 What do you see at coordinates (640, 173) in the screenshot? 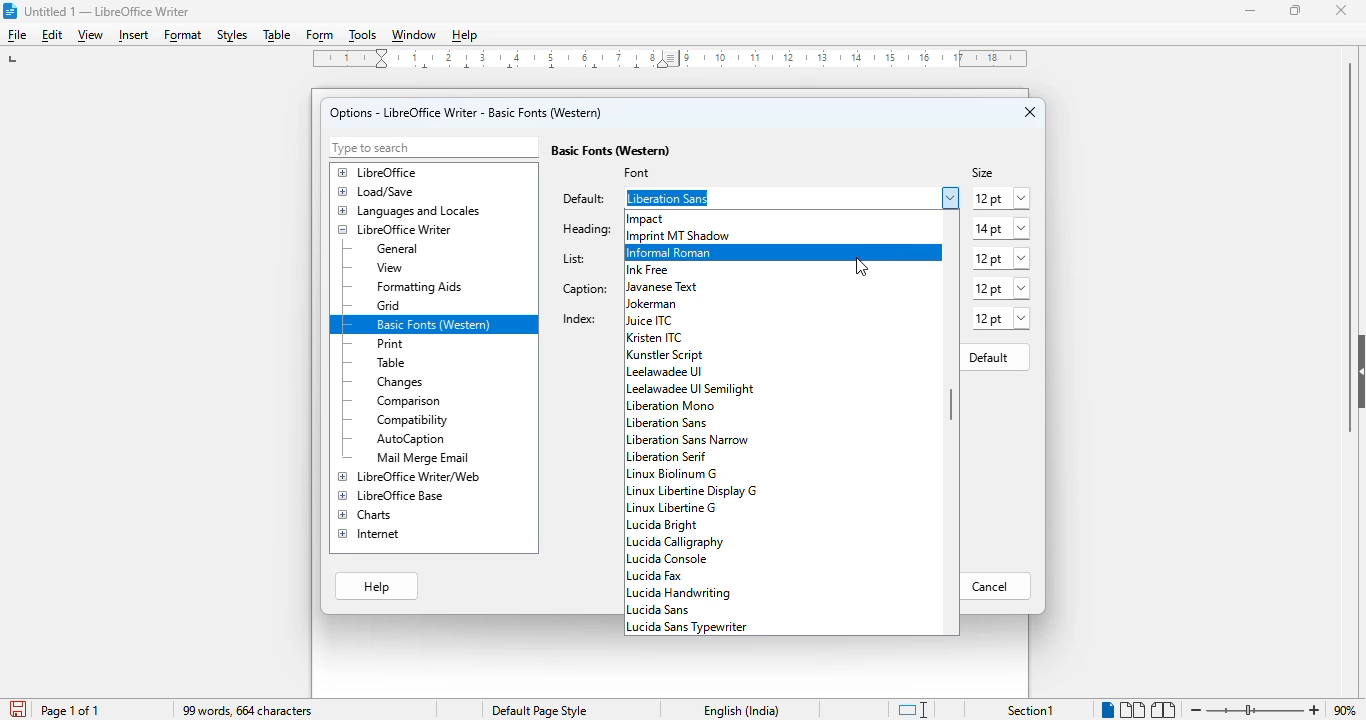
I see `font` at bounding box center [640, 173].